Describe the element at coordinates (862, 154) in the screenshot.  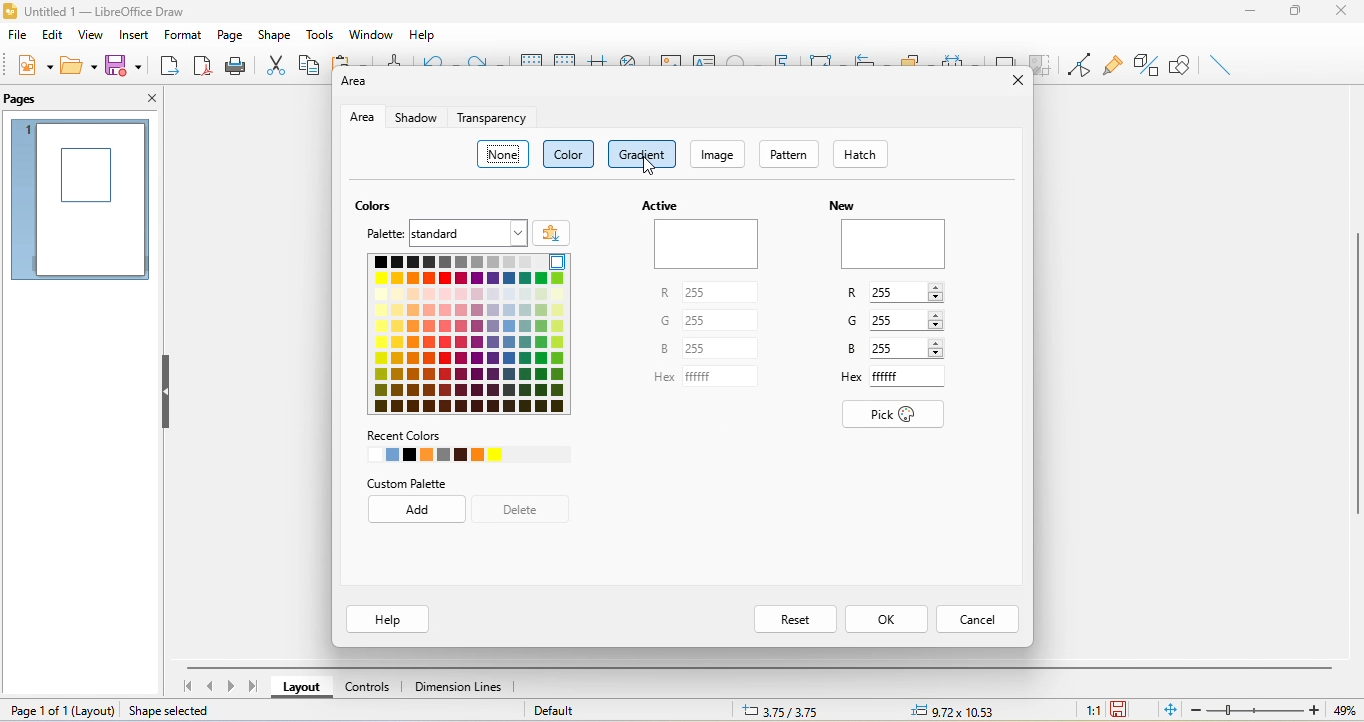
I see `hatch` at that location.